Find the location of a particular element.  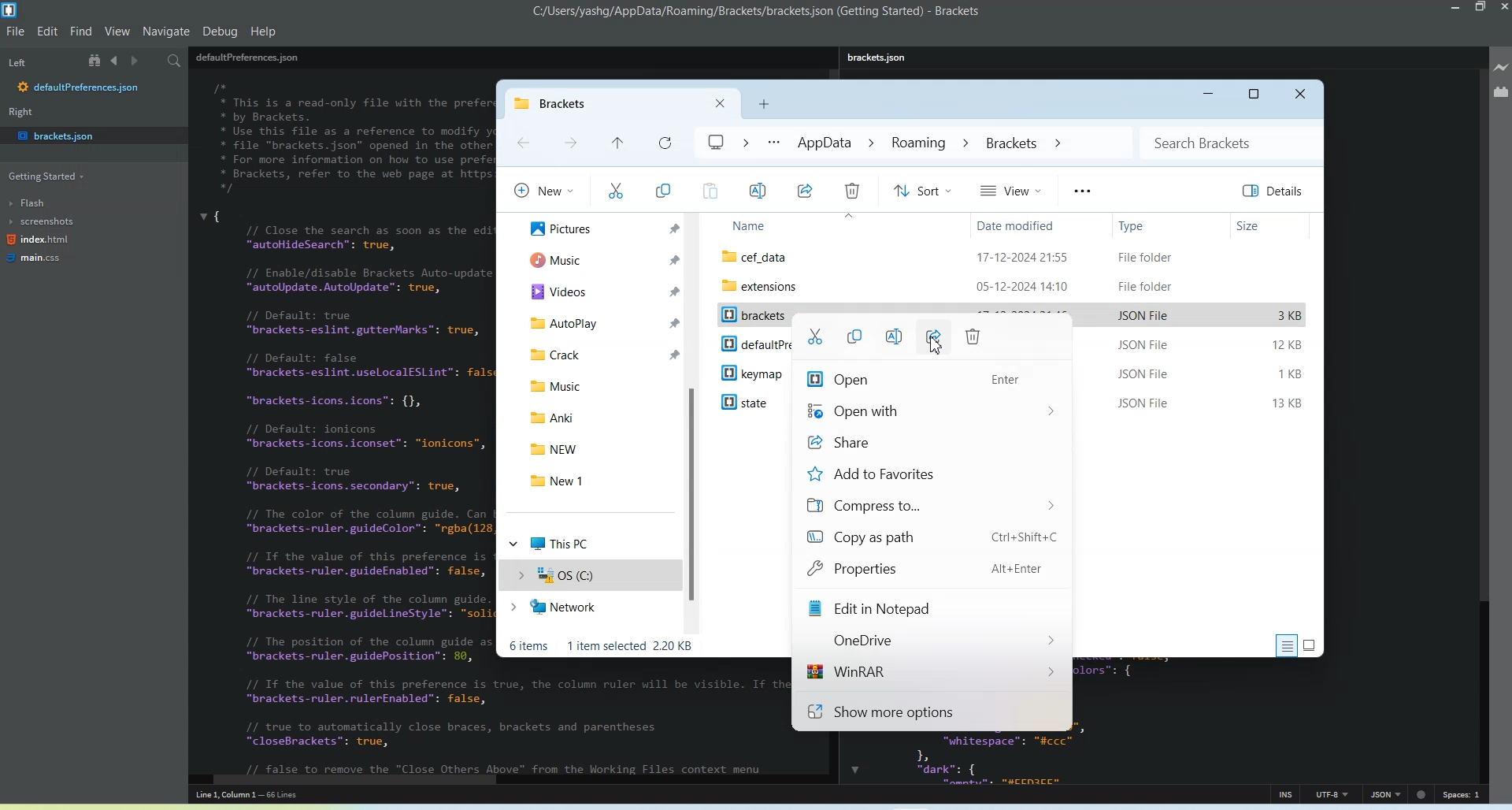

View is located at coordinates (1011, 189).